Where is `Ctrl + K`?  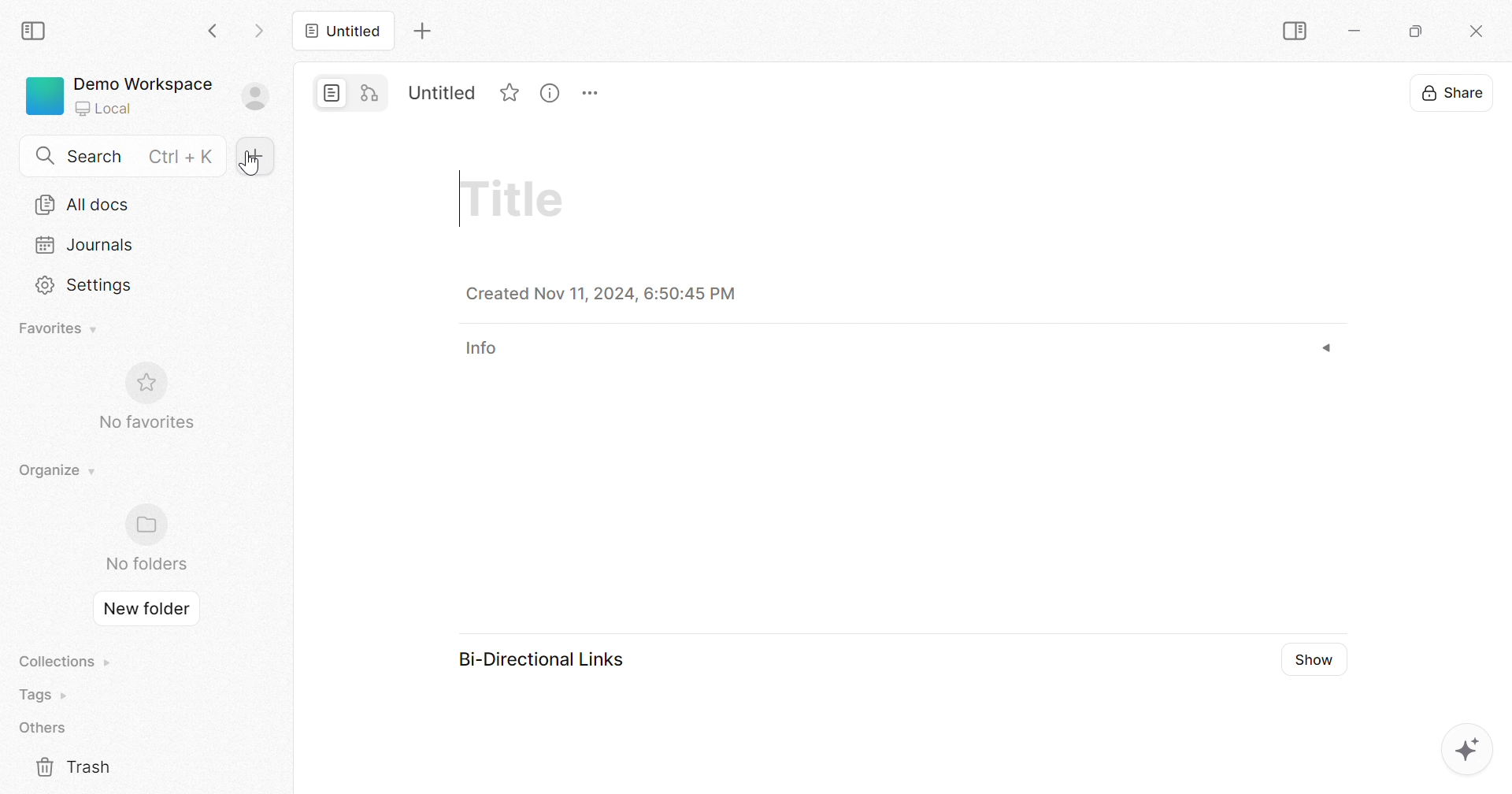 Ctrl + K is located at coordinates (183, 157).